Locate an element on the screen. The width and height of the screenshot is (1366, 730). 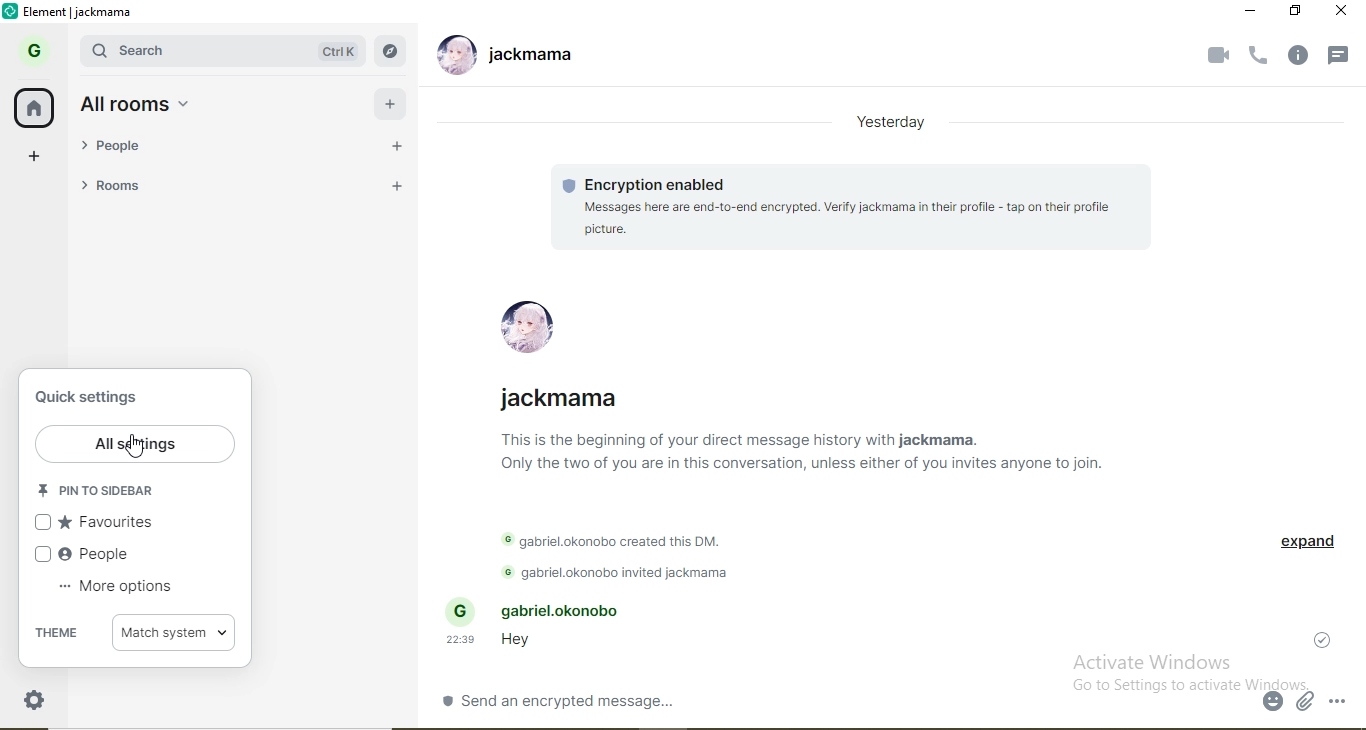
gabriel.okonobo is located at coordinates (546, 610).